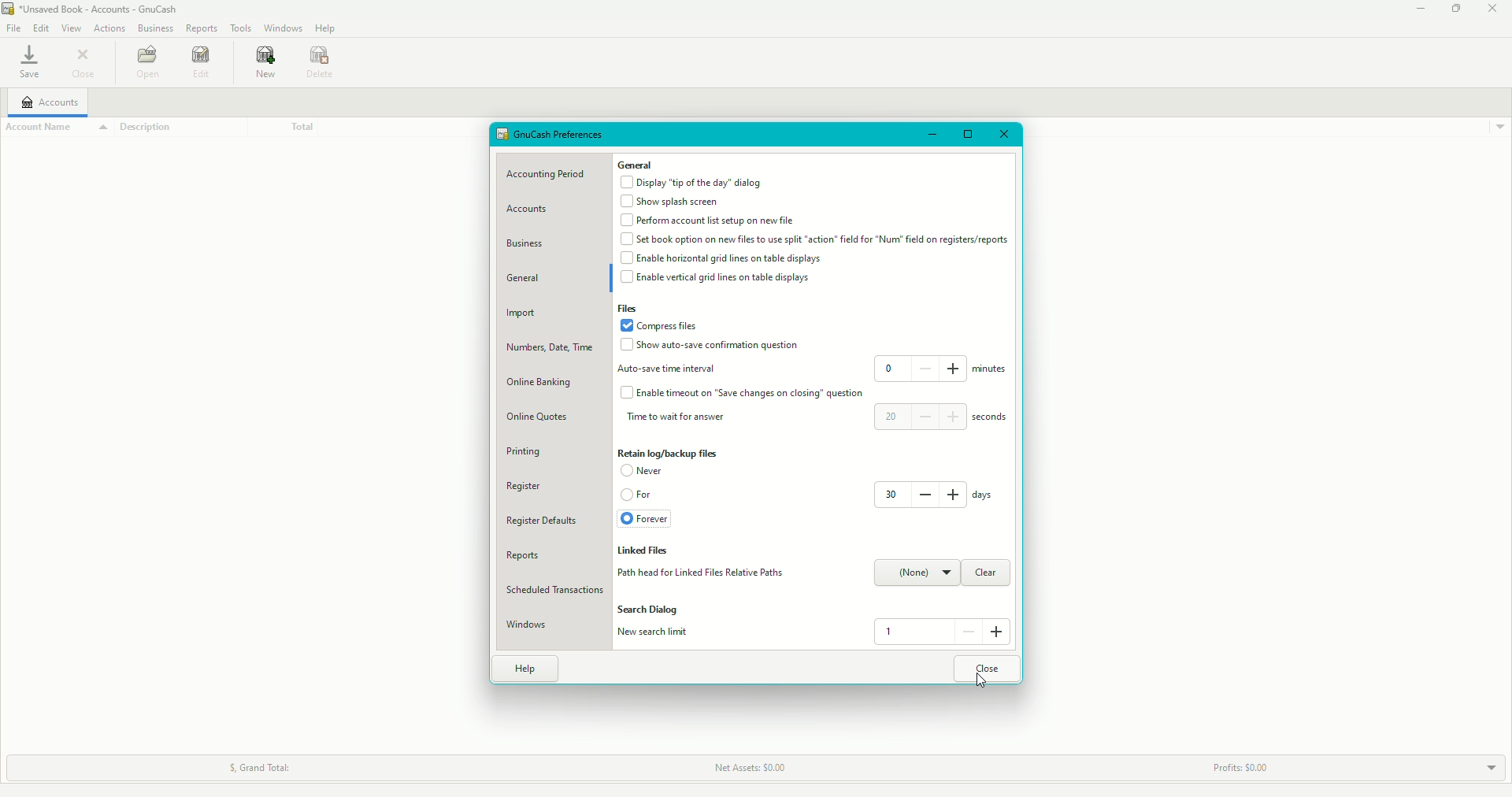 This screenshot has width=1512, height=797. I want to click on Register, so click(524, 487).